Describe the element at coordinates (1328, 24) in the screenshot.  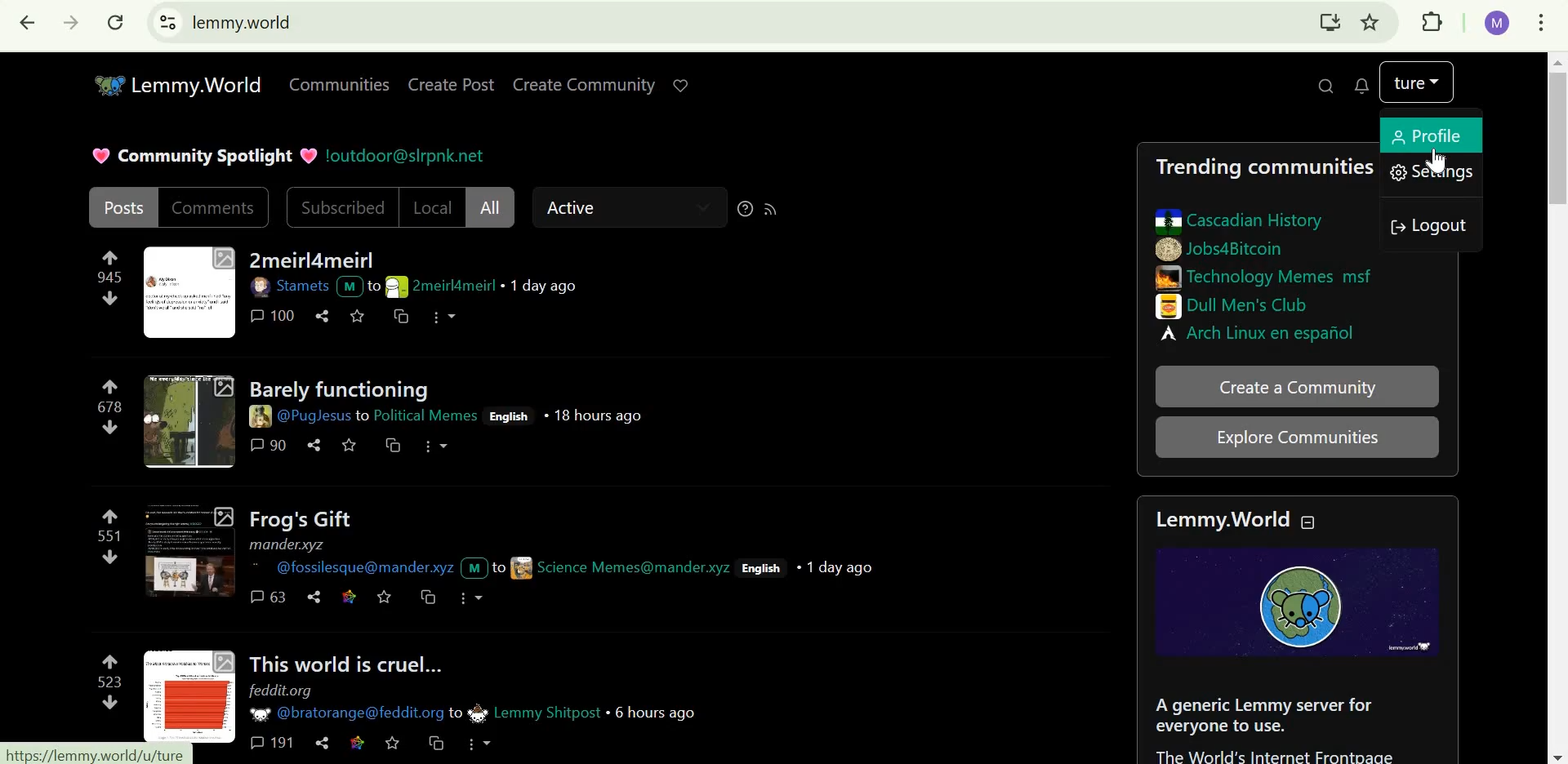
I see `install lemmy.world` at that location.